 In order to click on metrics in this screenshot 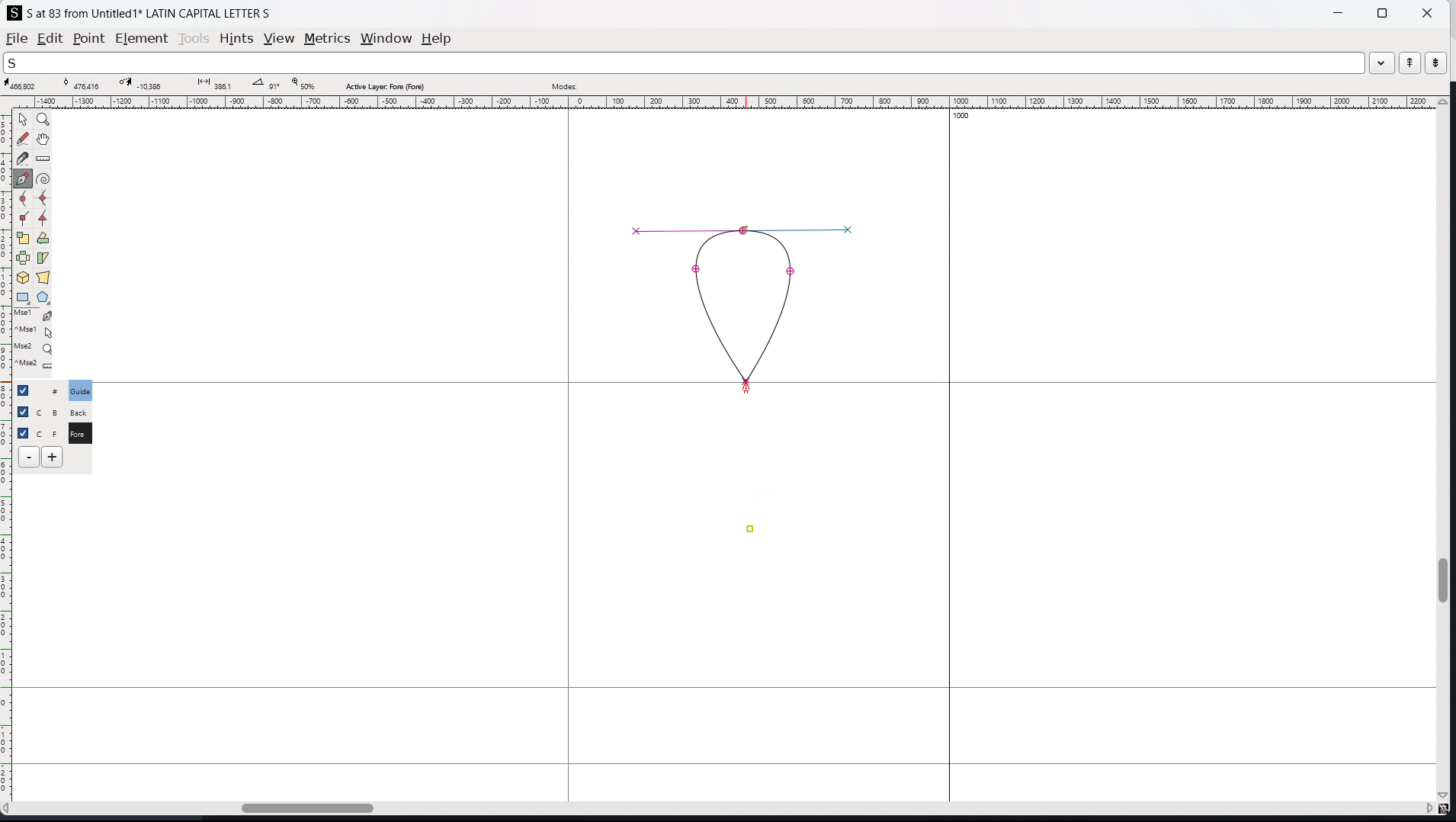, I will do `click(327, 38)`.